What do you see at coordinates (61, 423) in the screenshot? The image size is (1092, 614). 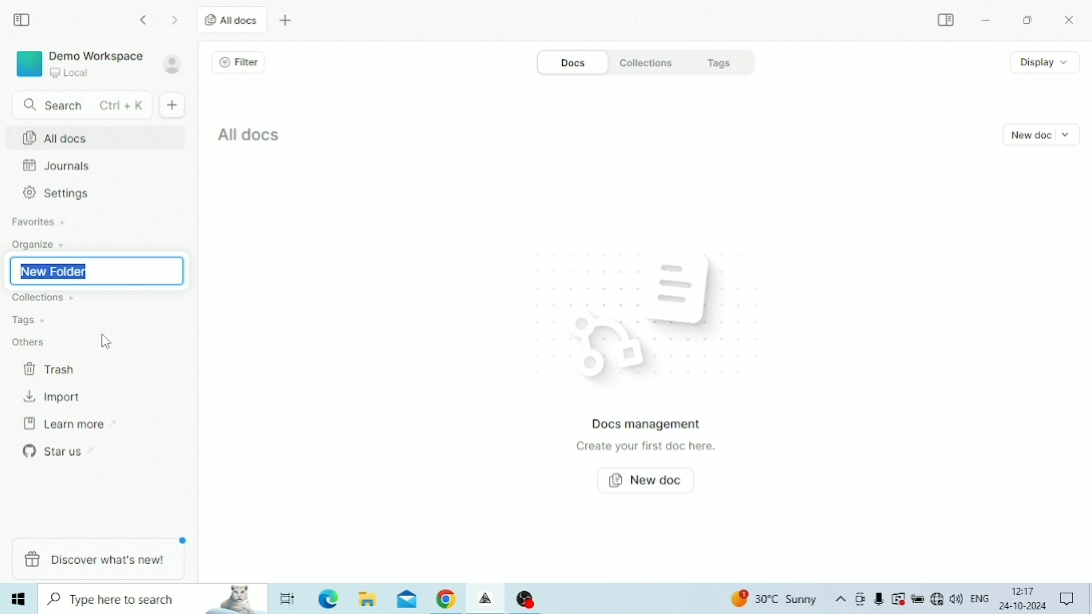 I see `Learn more` at bounding box center [61, 423].